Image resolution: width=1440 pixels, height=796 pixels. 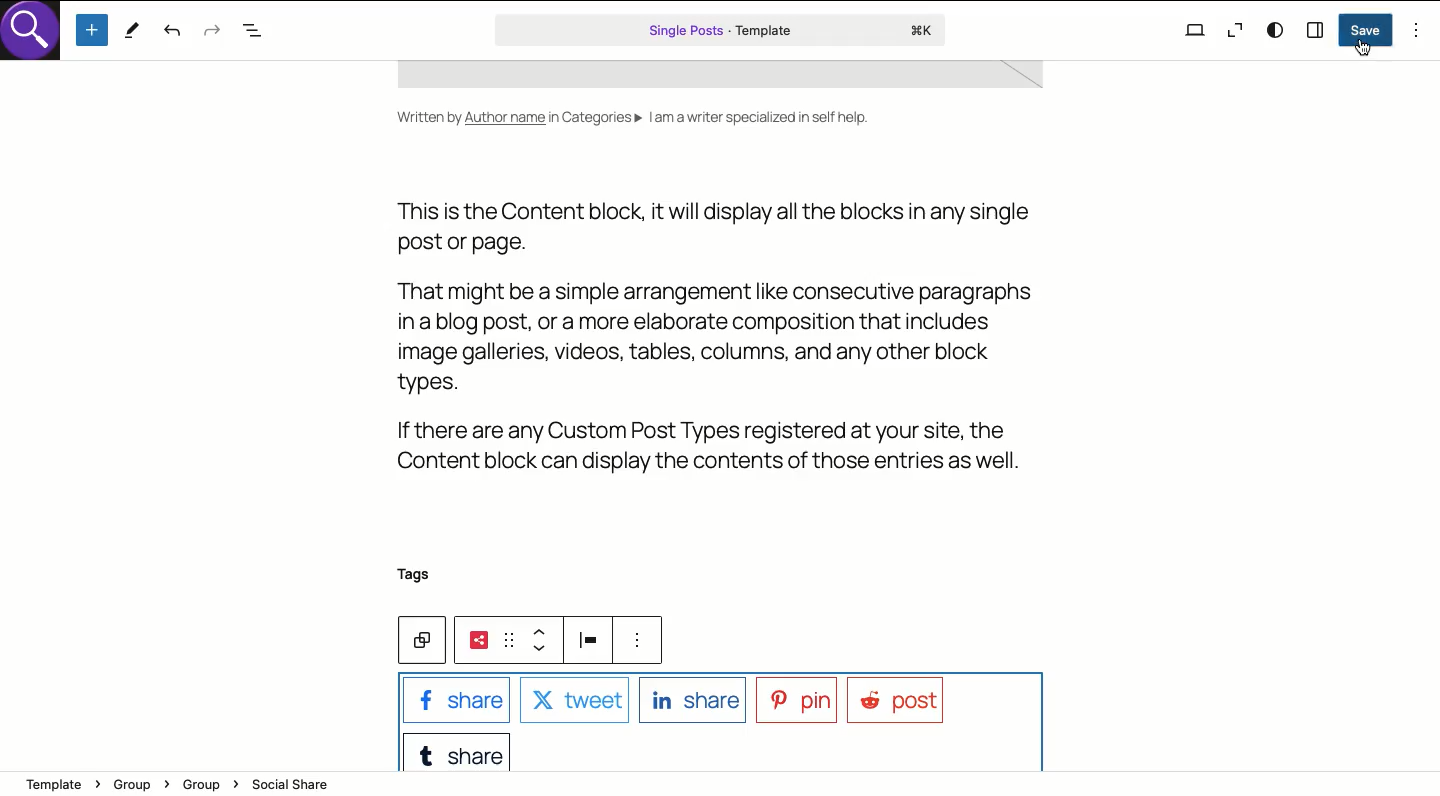 What do you see at coordinates (733, 81) in the screenshot?
I see `template space` at bounding box center [733, 81].